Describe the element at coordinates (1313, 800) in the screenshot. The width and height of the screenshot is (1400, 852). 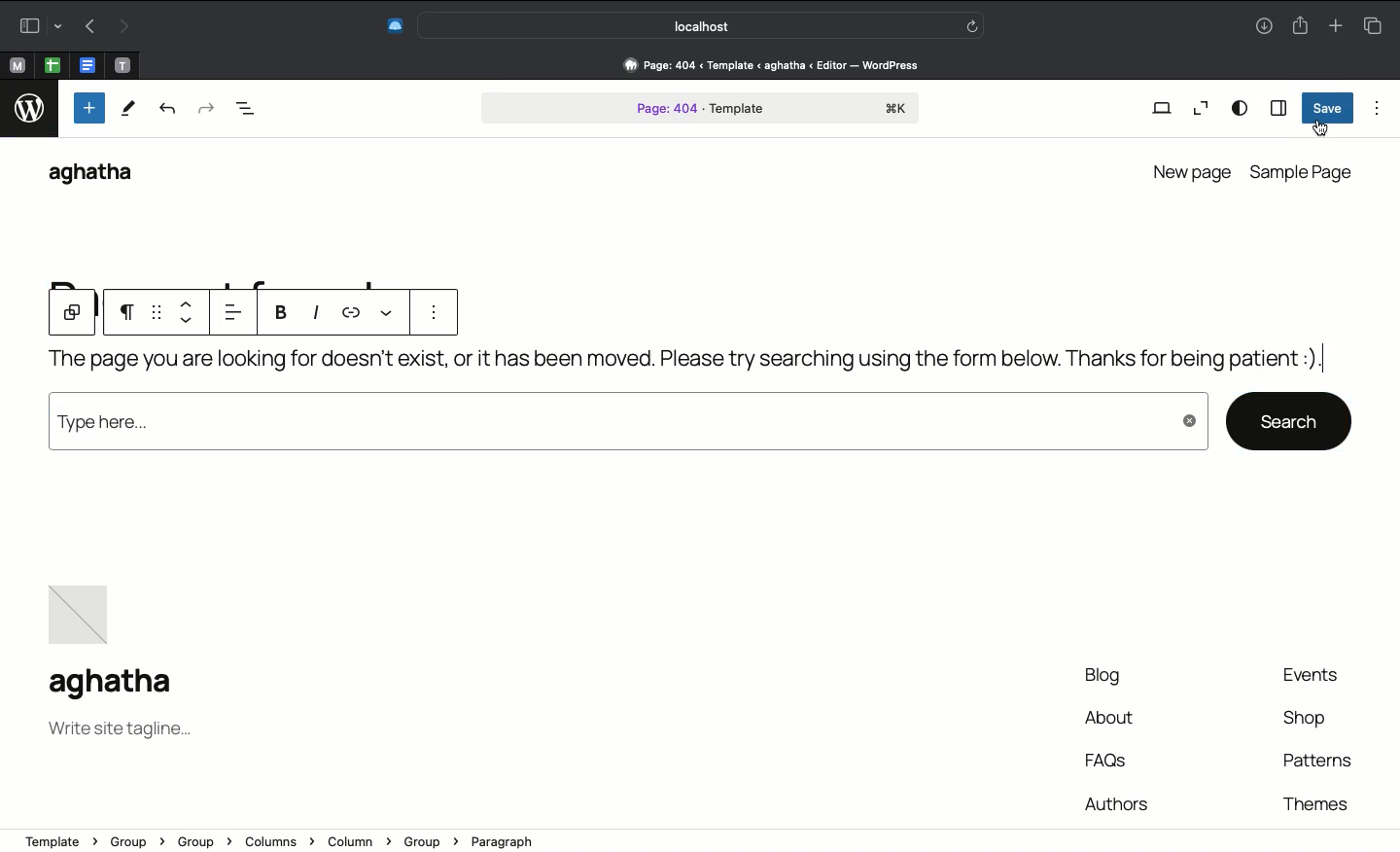
I see `theme` at that location.